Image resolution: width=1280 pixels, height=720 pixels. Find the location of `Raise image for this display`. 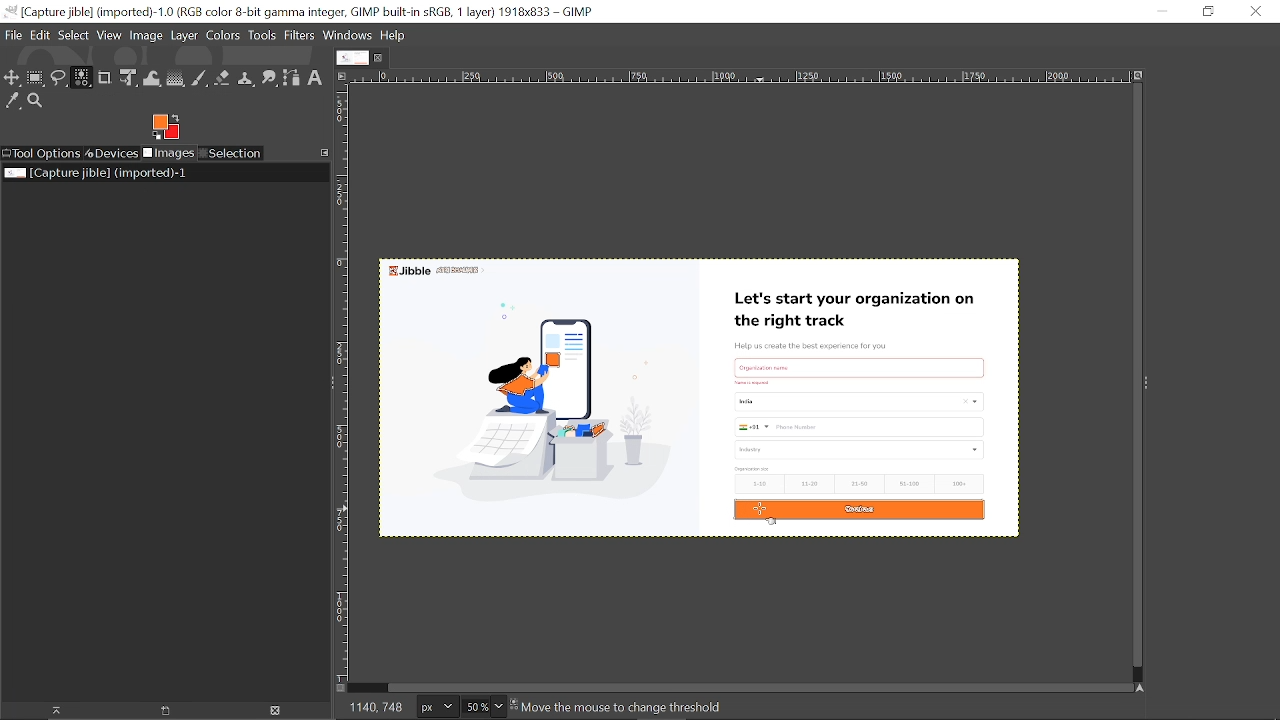

Raise image for this display is located at coordinates (50, 711).